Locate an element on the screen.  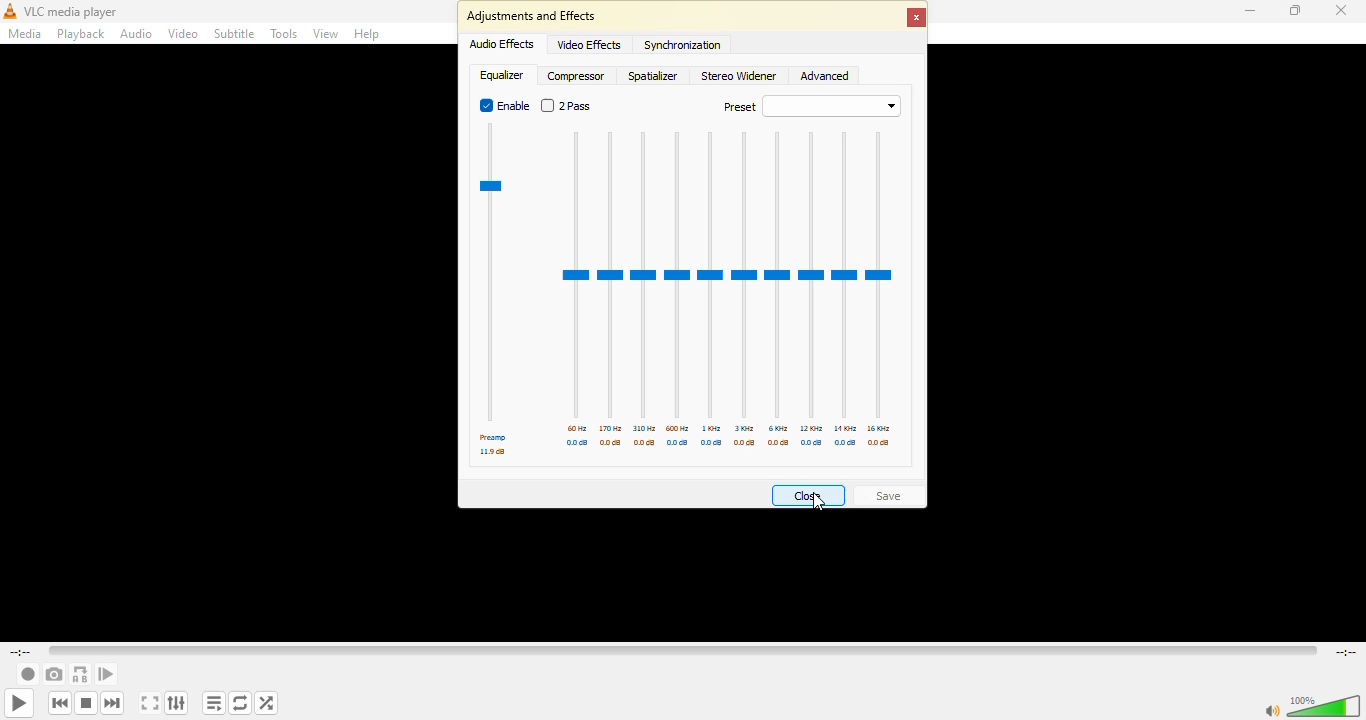
310 hz is located at coordinates (646, 428).